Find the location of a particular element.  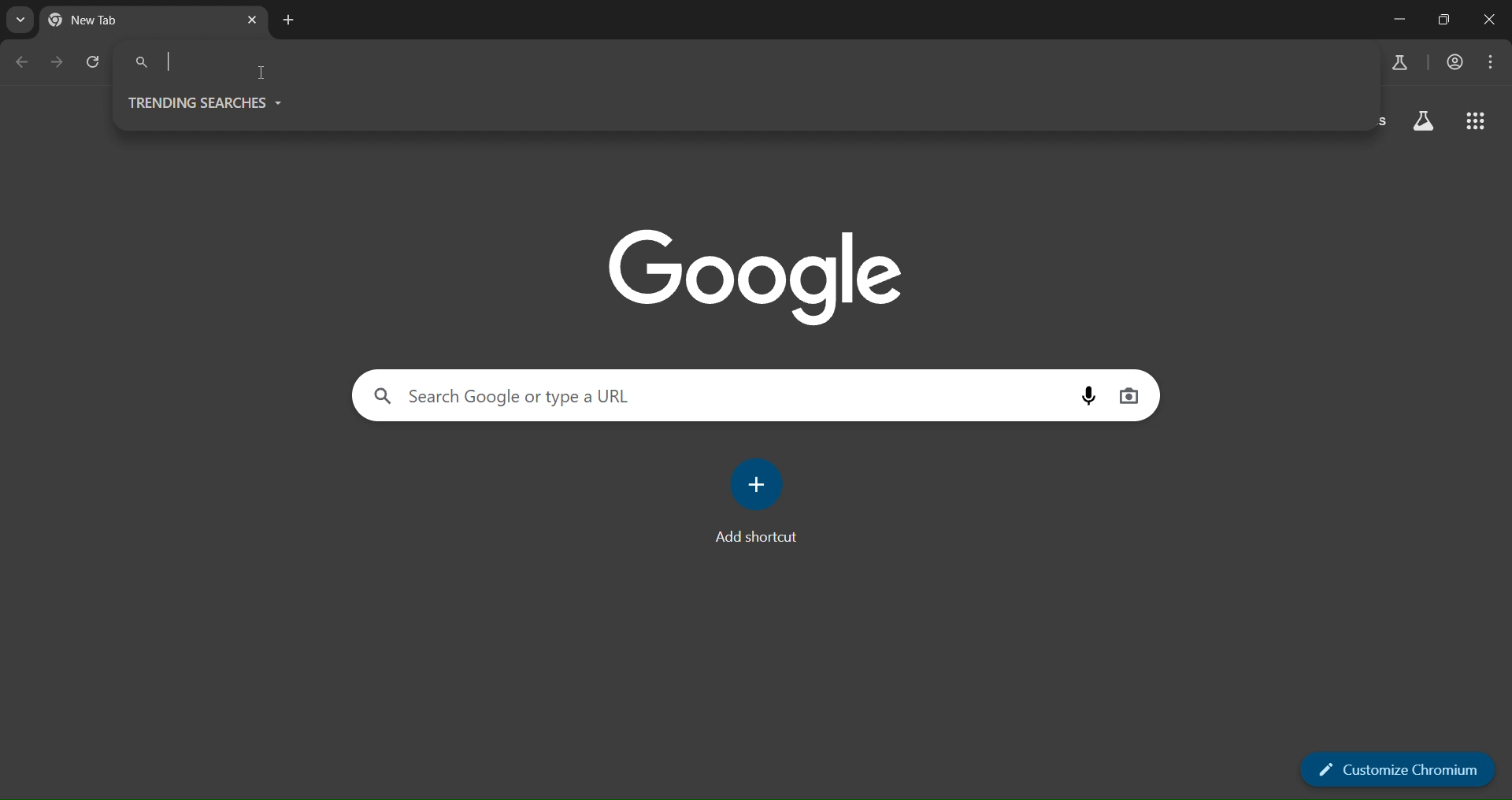

search panel is located at coordinates (707, 394).